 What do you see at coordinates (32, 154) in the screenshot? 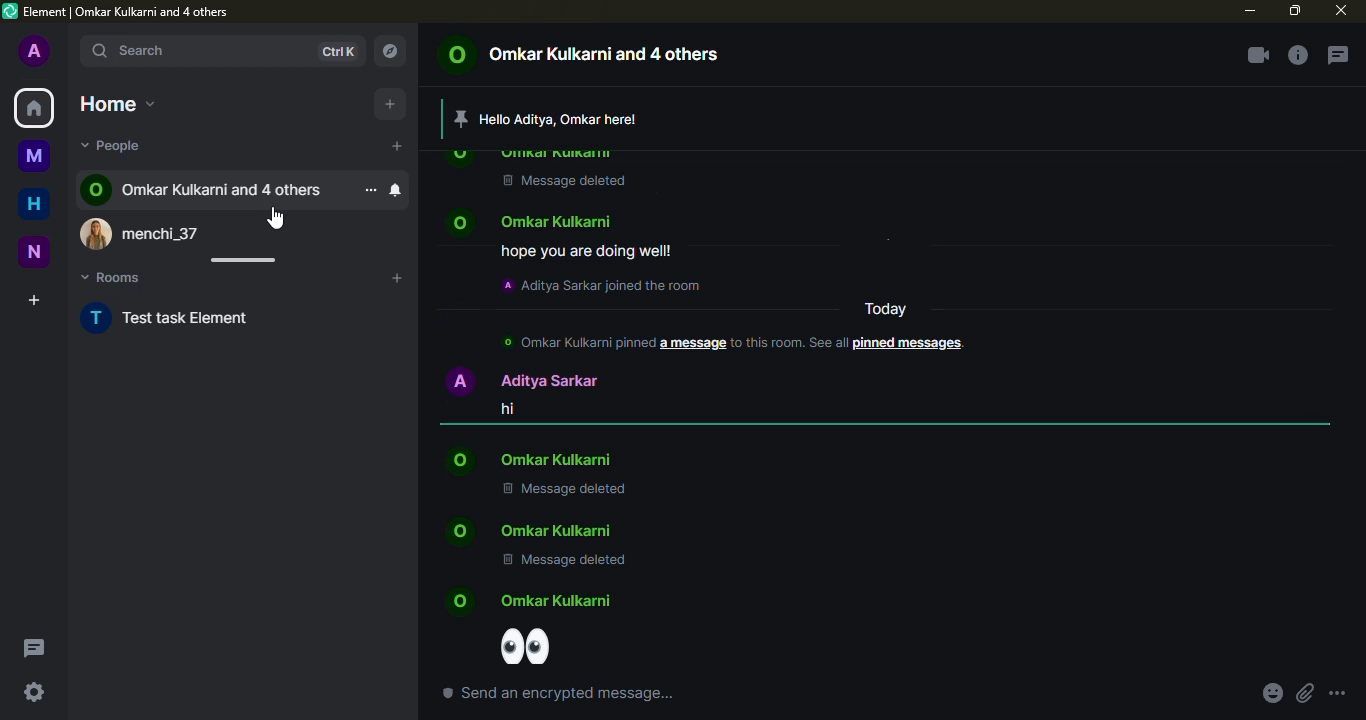
I see `room` at bounding box center [32, 154].